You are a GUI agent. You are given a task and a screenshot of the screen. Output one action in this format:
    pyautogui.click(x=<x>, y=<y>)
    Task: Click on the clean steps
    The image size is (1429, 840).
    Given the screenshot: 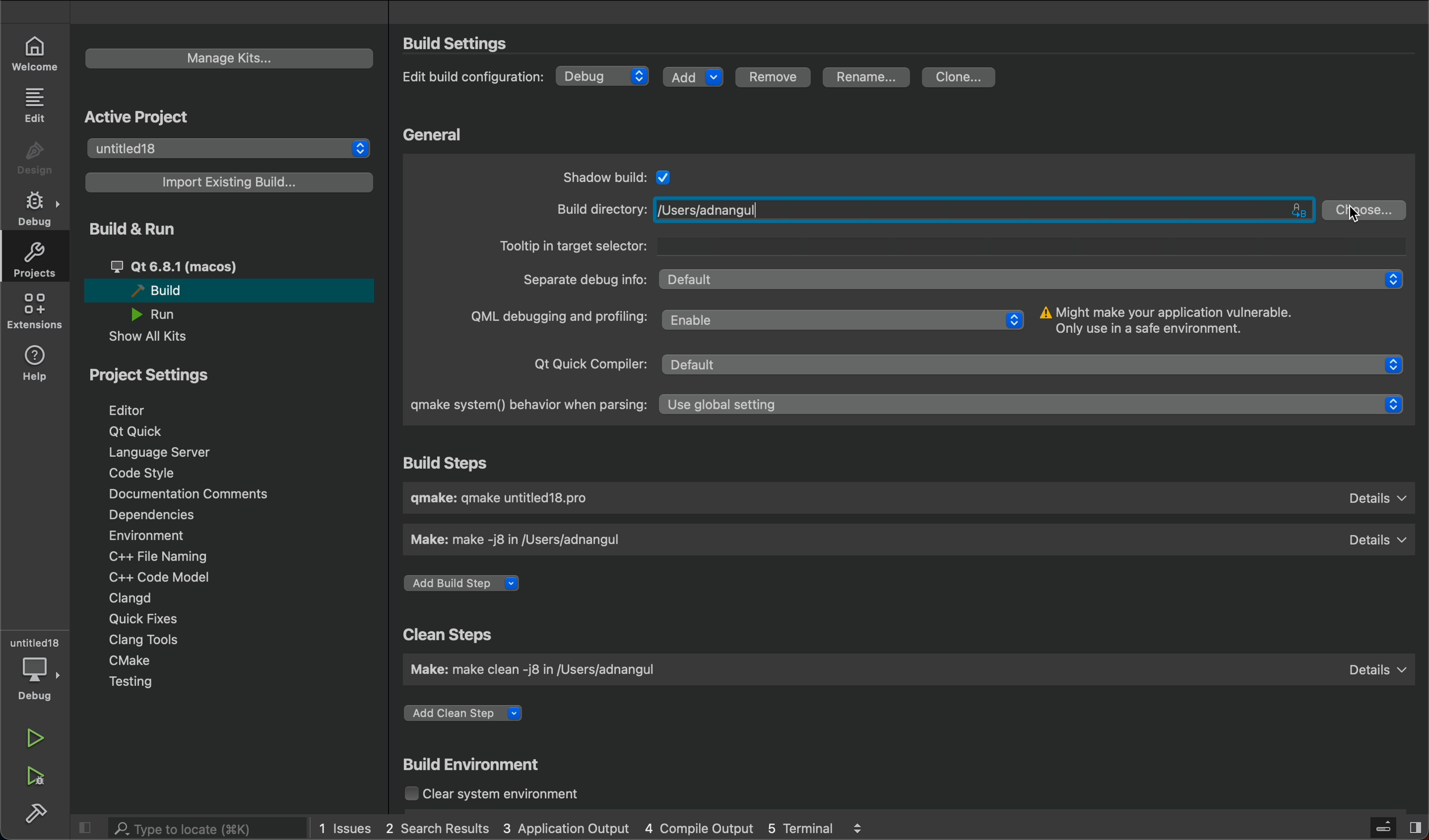 What is the action you would take?
    pyautogui.click(x=445, y=633)
    